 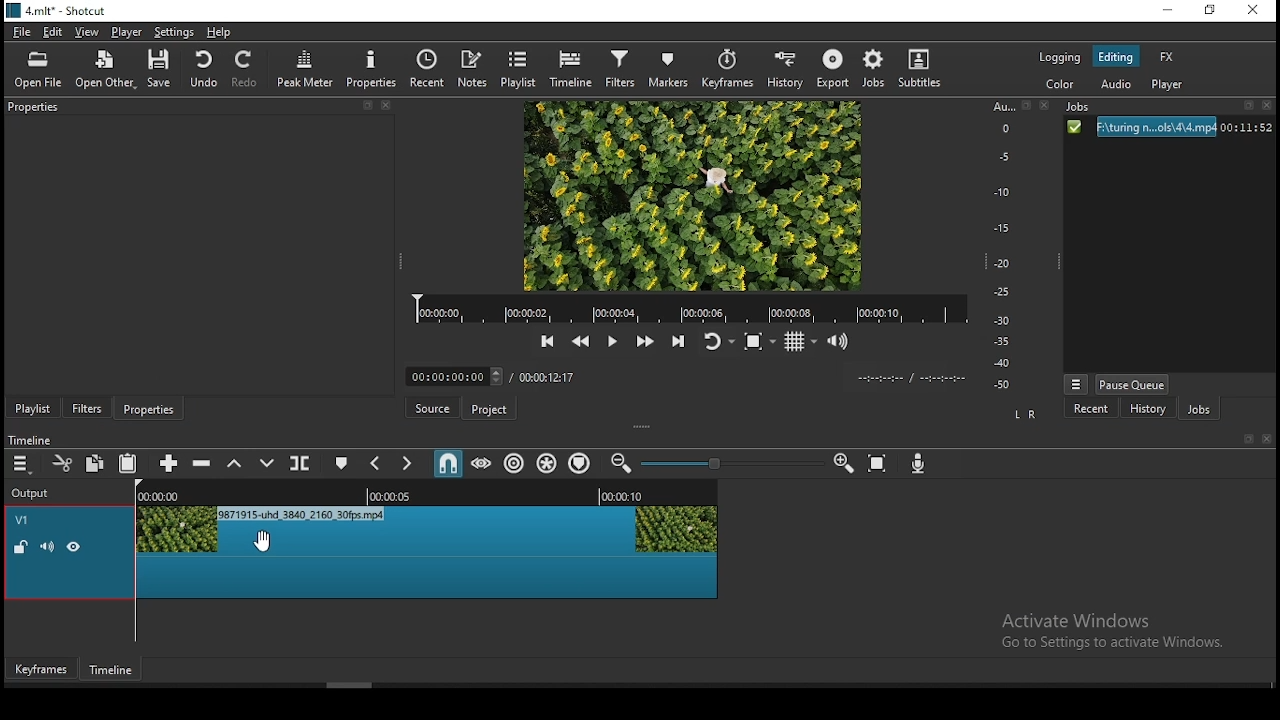 What do you see at coordinates (876, 462) in the screenshot?
I see `zoom timeline to fit` at bounding box center [876, 462].